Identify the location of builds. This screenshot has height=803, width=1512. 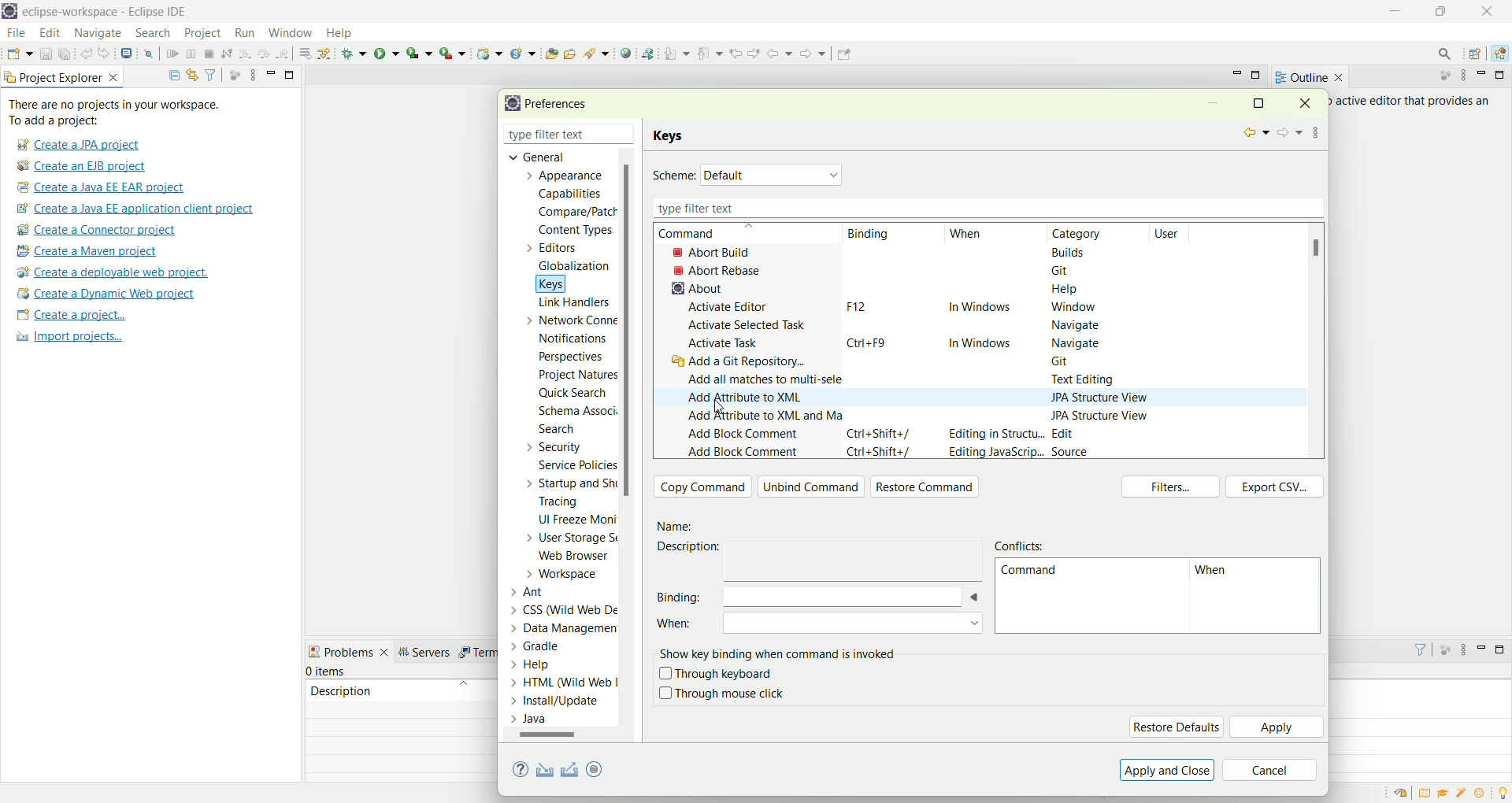
(1069, 252).